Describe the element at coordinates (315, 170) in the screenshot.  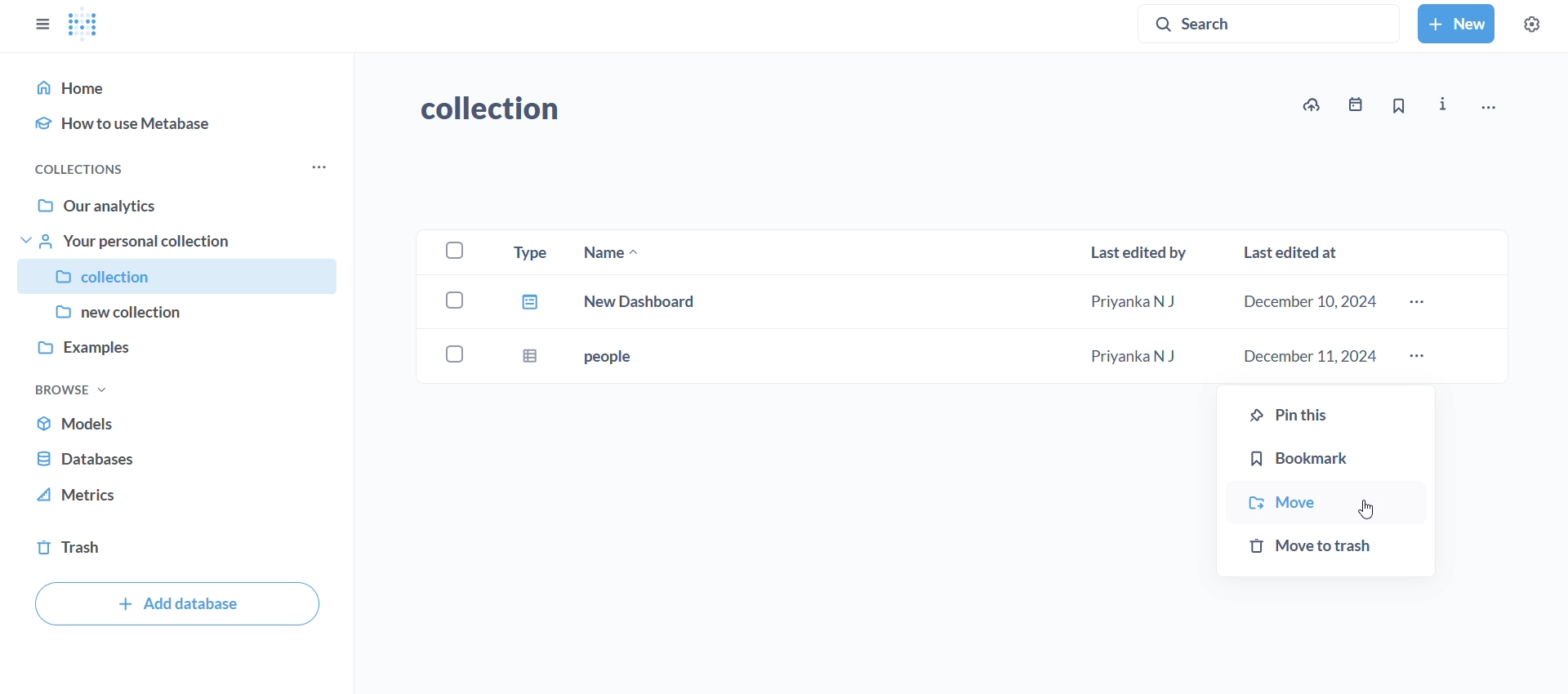
I see `more` at that location.